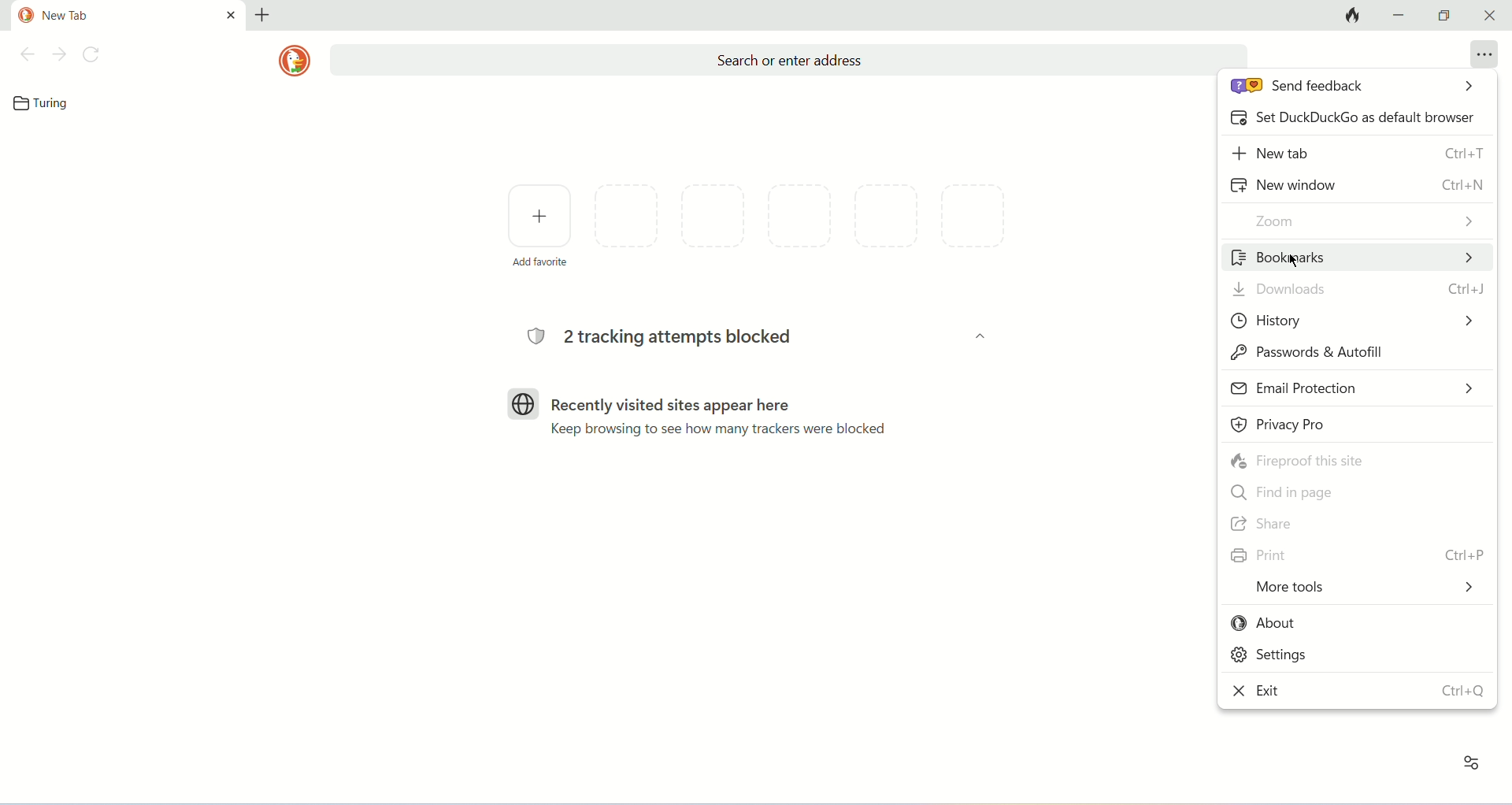  What do you see at coordinates (1354, 493) in the screenshot?
I see `find page` at bounding box center [1354, 493].